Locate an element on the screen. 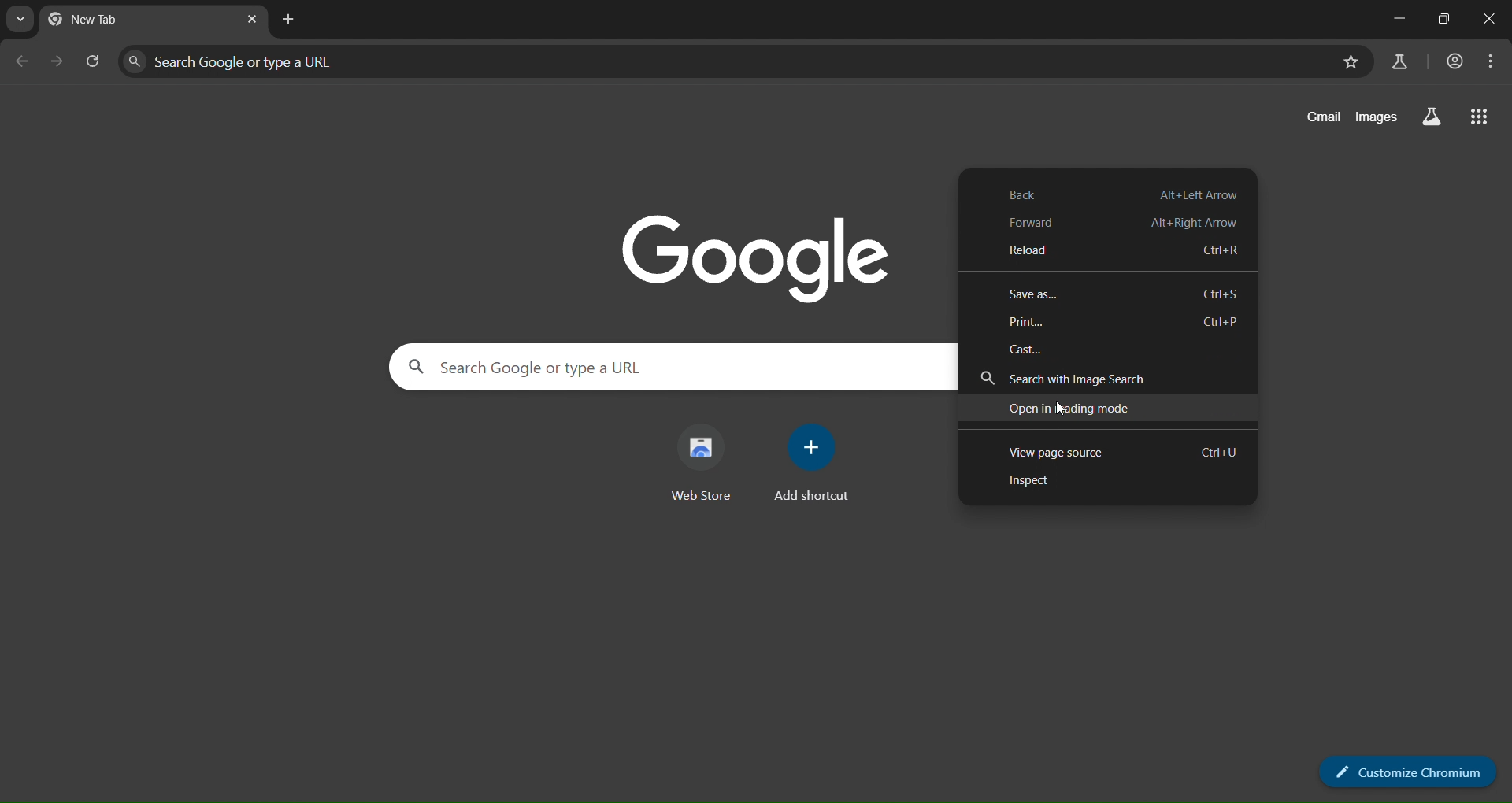 The image size is (1512, 803). inspect is located at coordinates (1040, 480).